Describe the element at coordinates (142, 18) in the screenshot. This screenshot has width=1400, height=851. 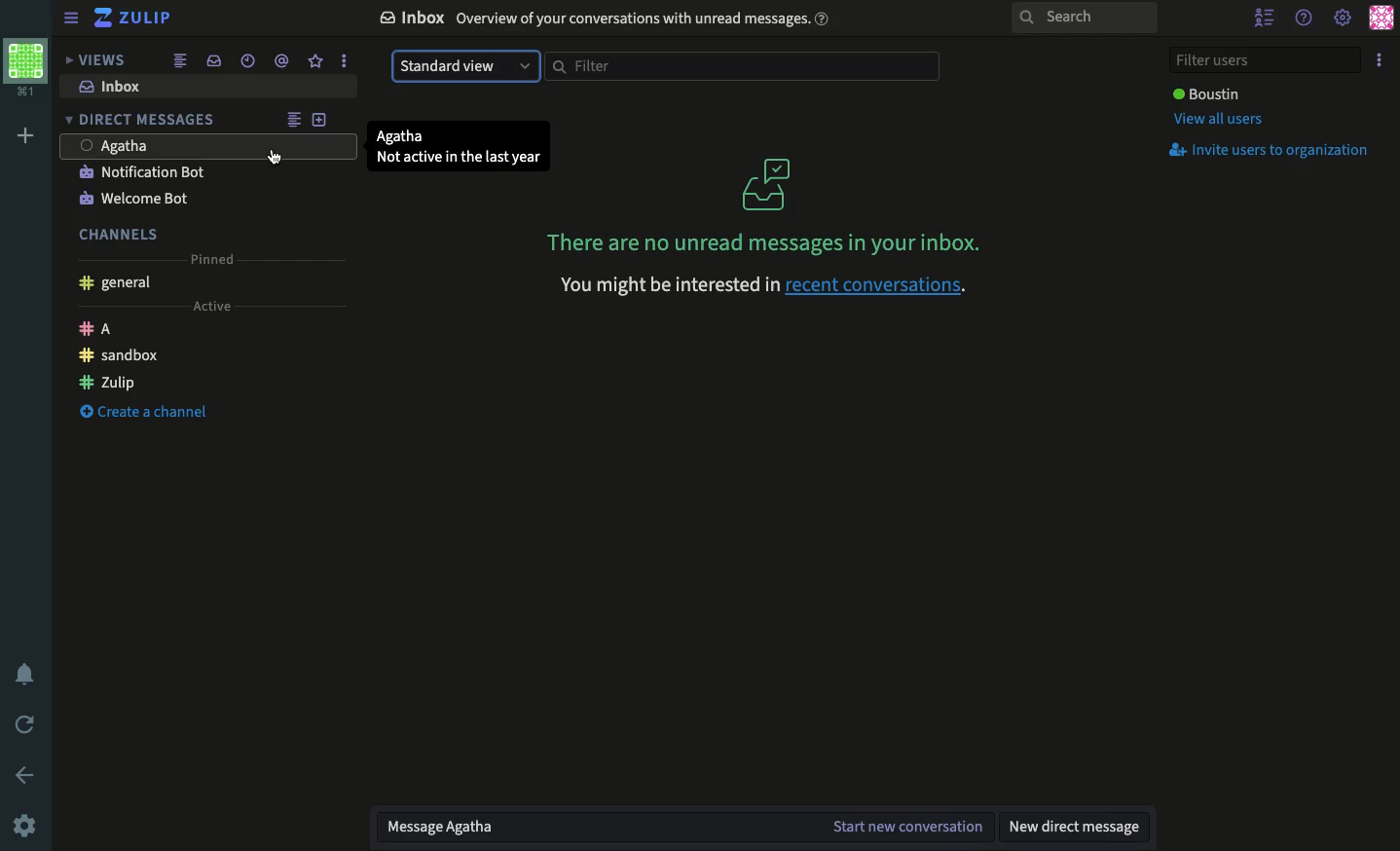
I see `Zulip` at that location.